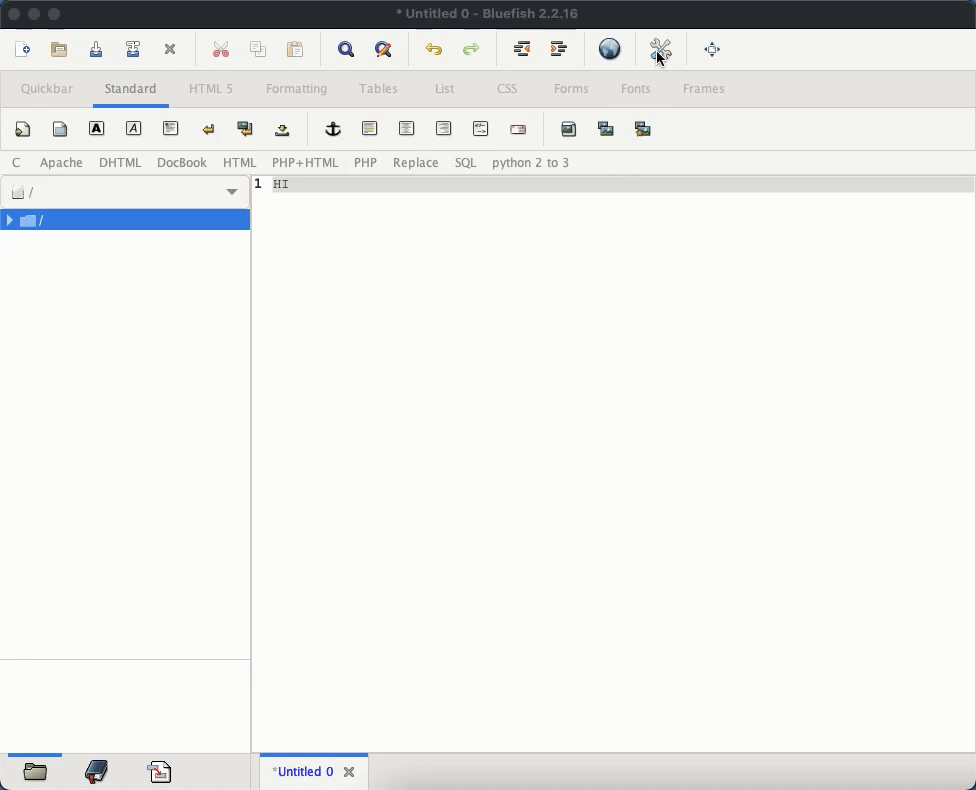 The height and width of the screenshot is (790, 976). Describe the element at coordinates (134, 50) in the screenshot. I see `save file as` at that location.